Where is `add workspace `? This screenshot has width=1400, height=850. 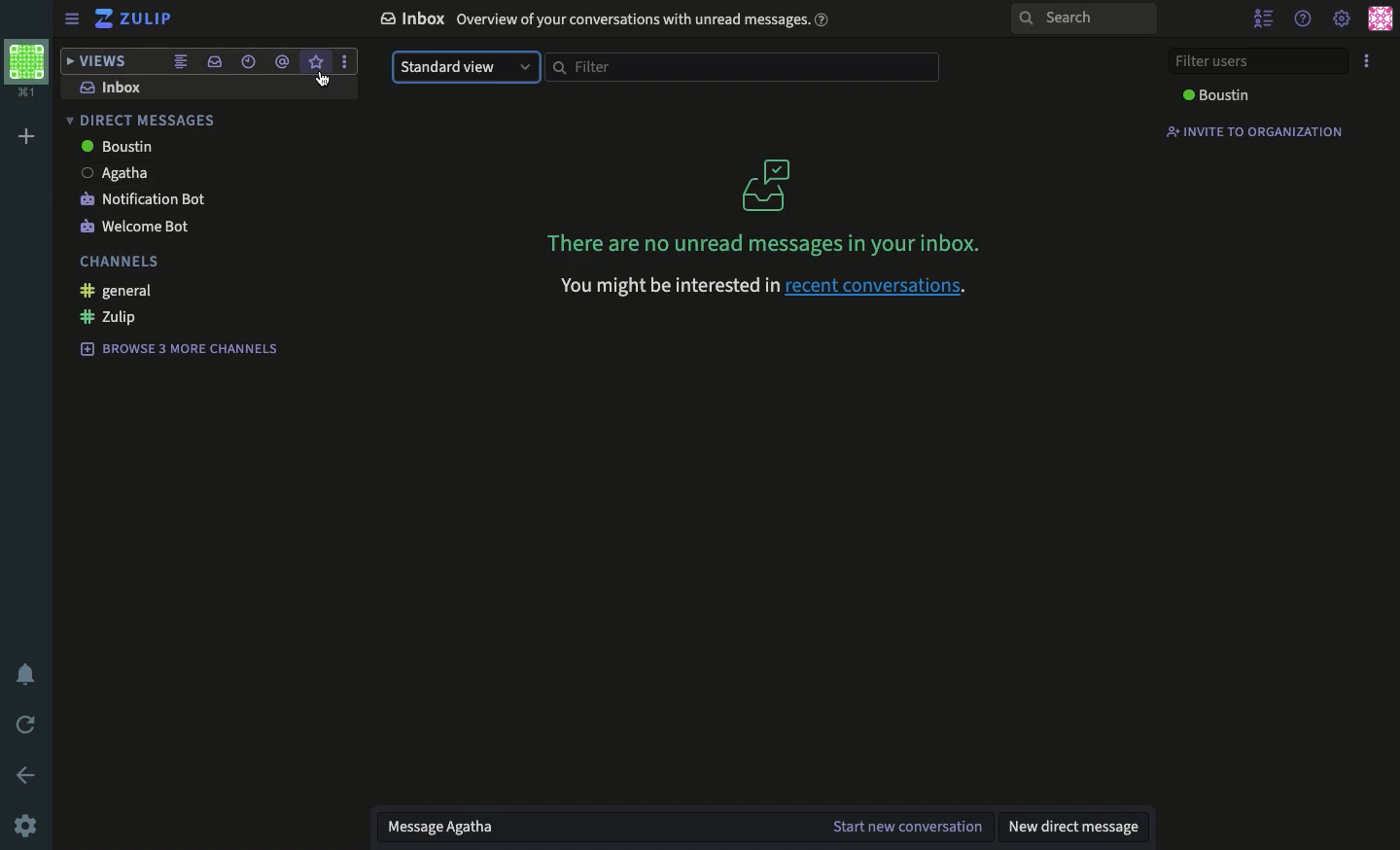
add workspace  is located at coordinates (29, 135).